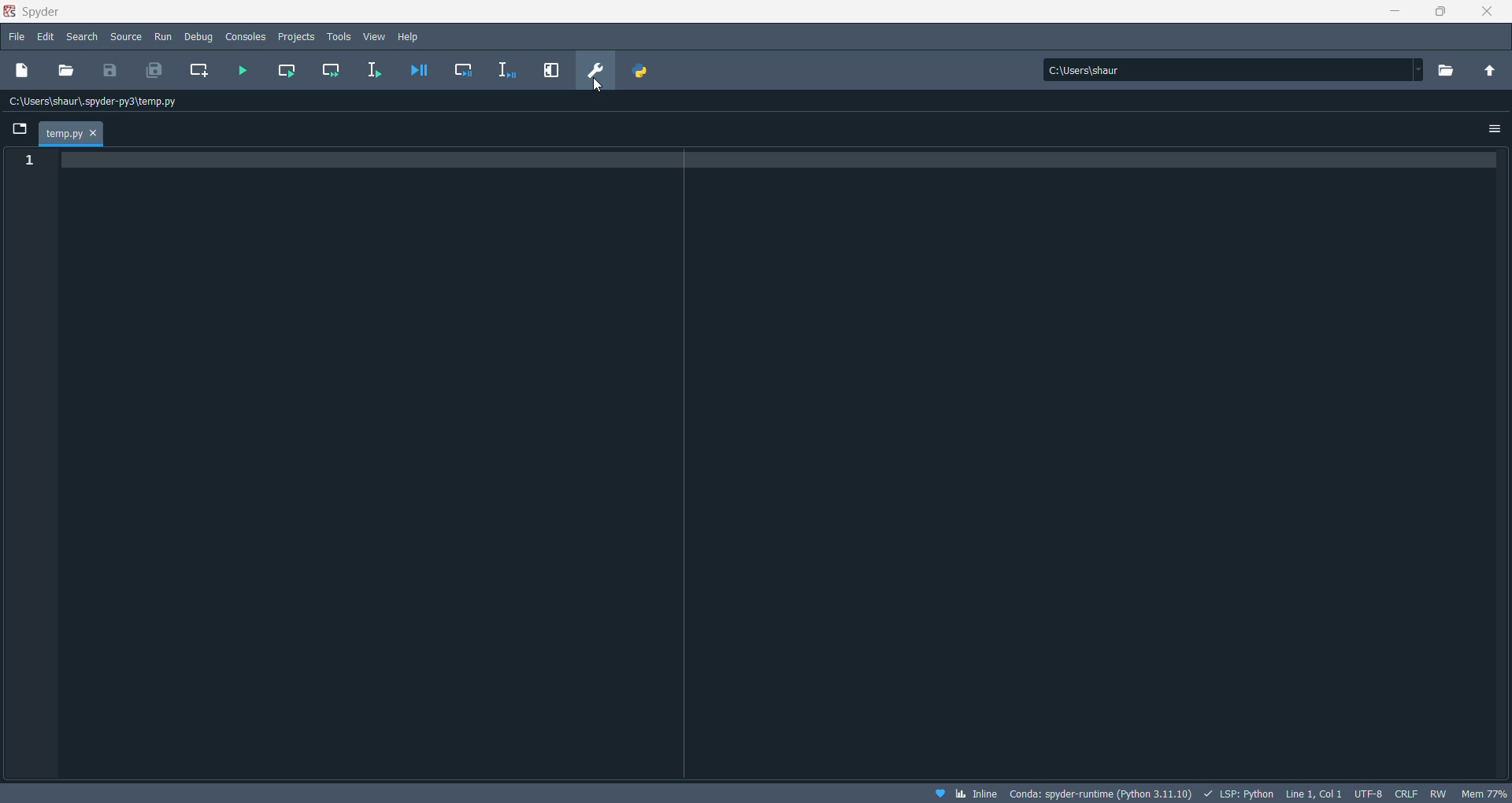 The height and width of the screenshot is (803, 1512). What do you see at coordinates (46, 37) in the screenshot?
I see `edit` at bounding box center [46, 37].